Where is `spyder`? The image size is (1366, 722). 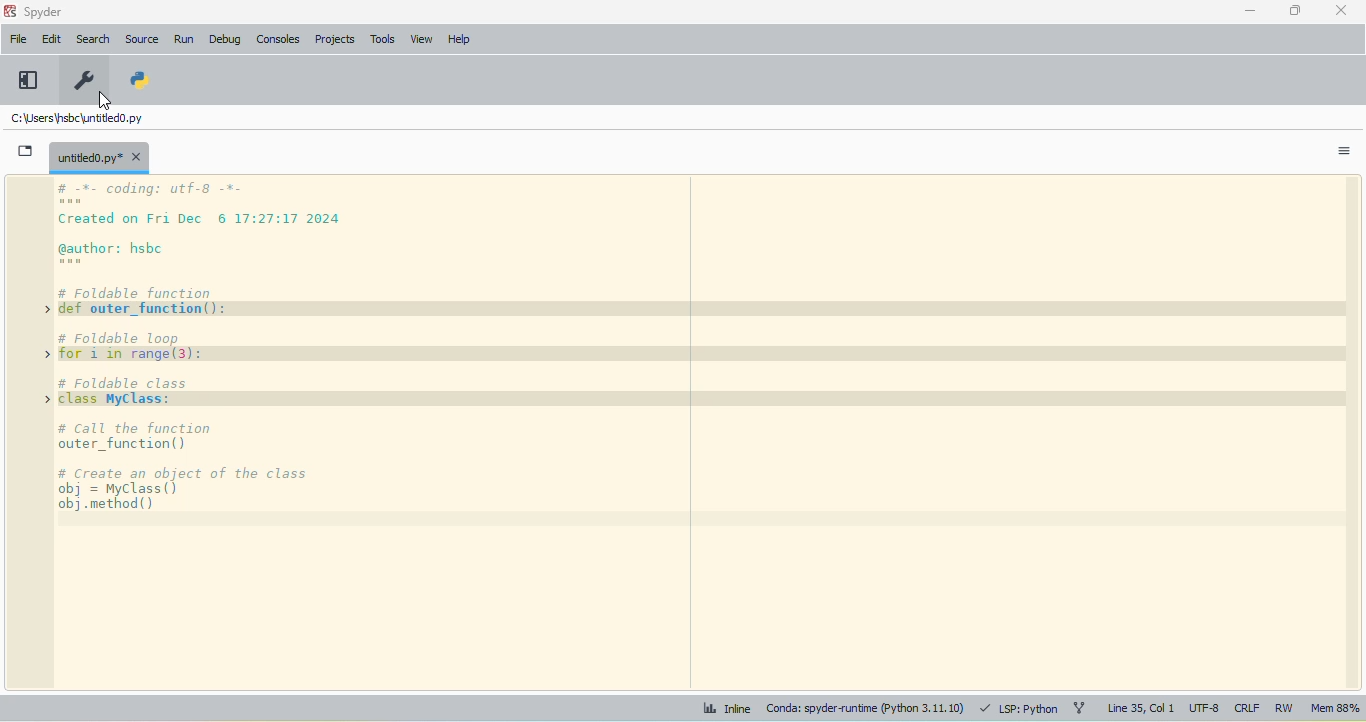
spyder is located at coordinates (43, 12).